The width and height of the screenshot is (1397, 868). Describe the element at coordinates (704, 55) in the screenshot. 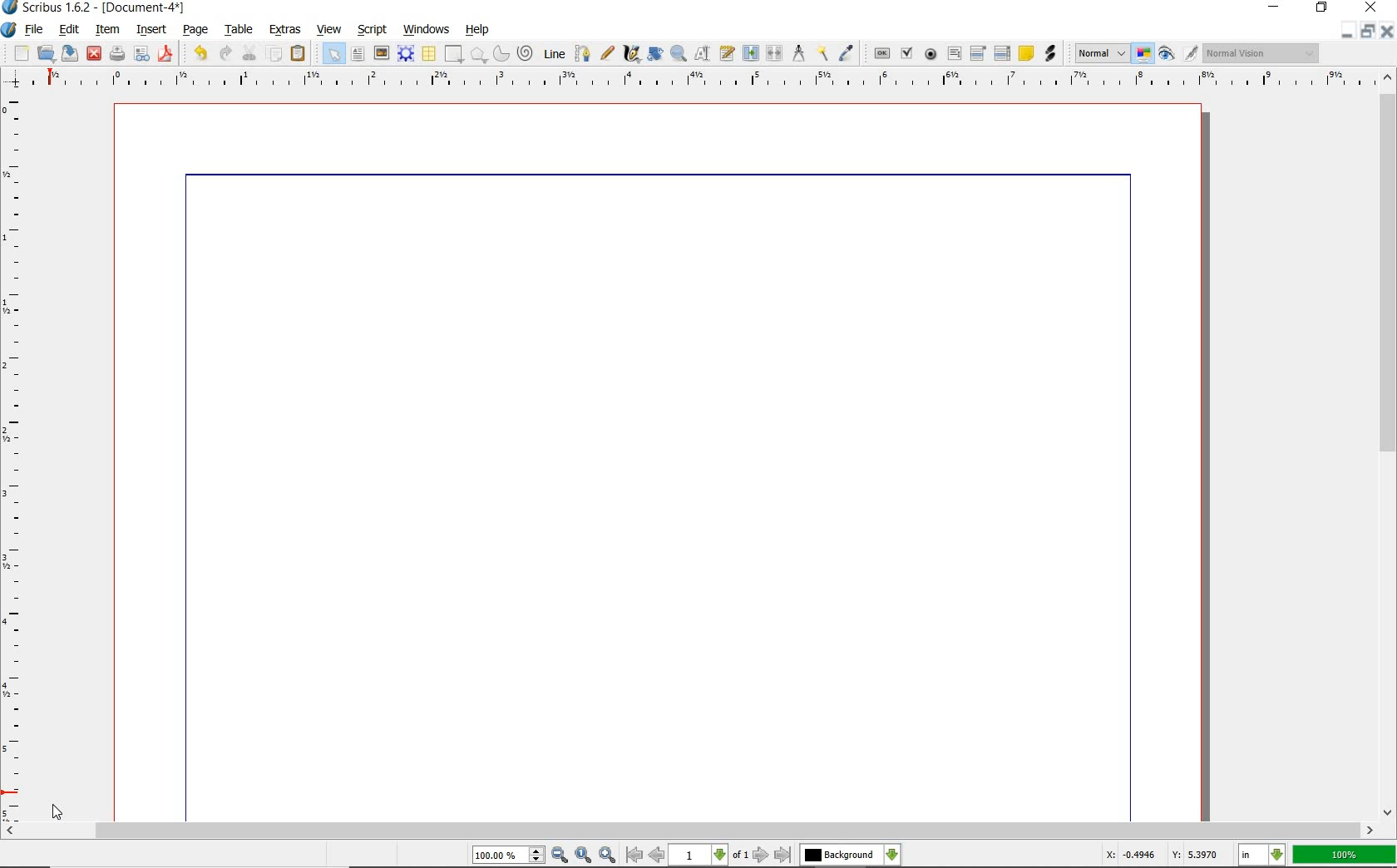

I see `edit contents of frame` at that location.